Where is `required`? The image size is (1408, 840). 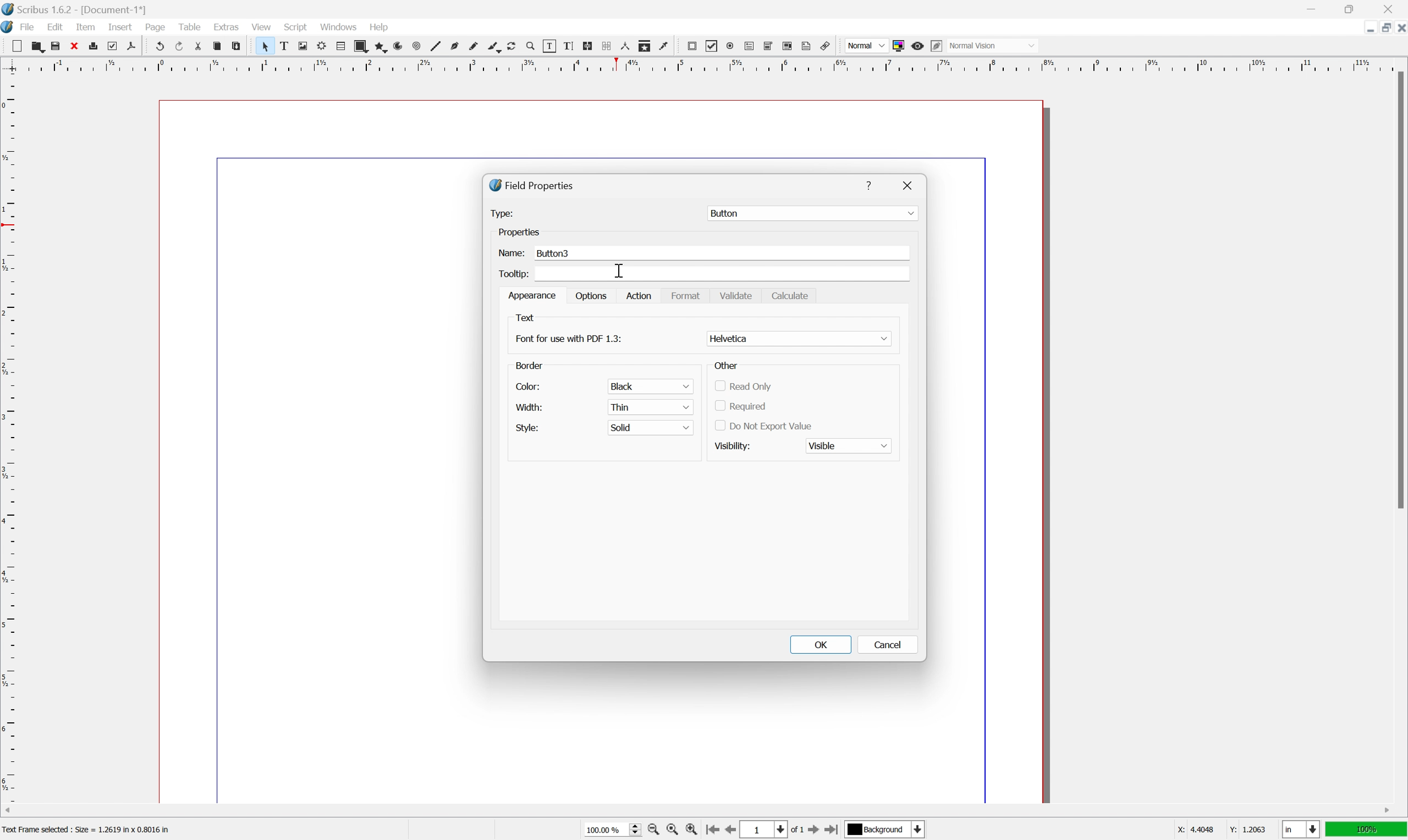 required is located at coordinates (740, 405).